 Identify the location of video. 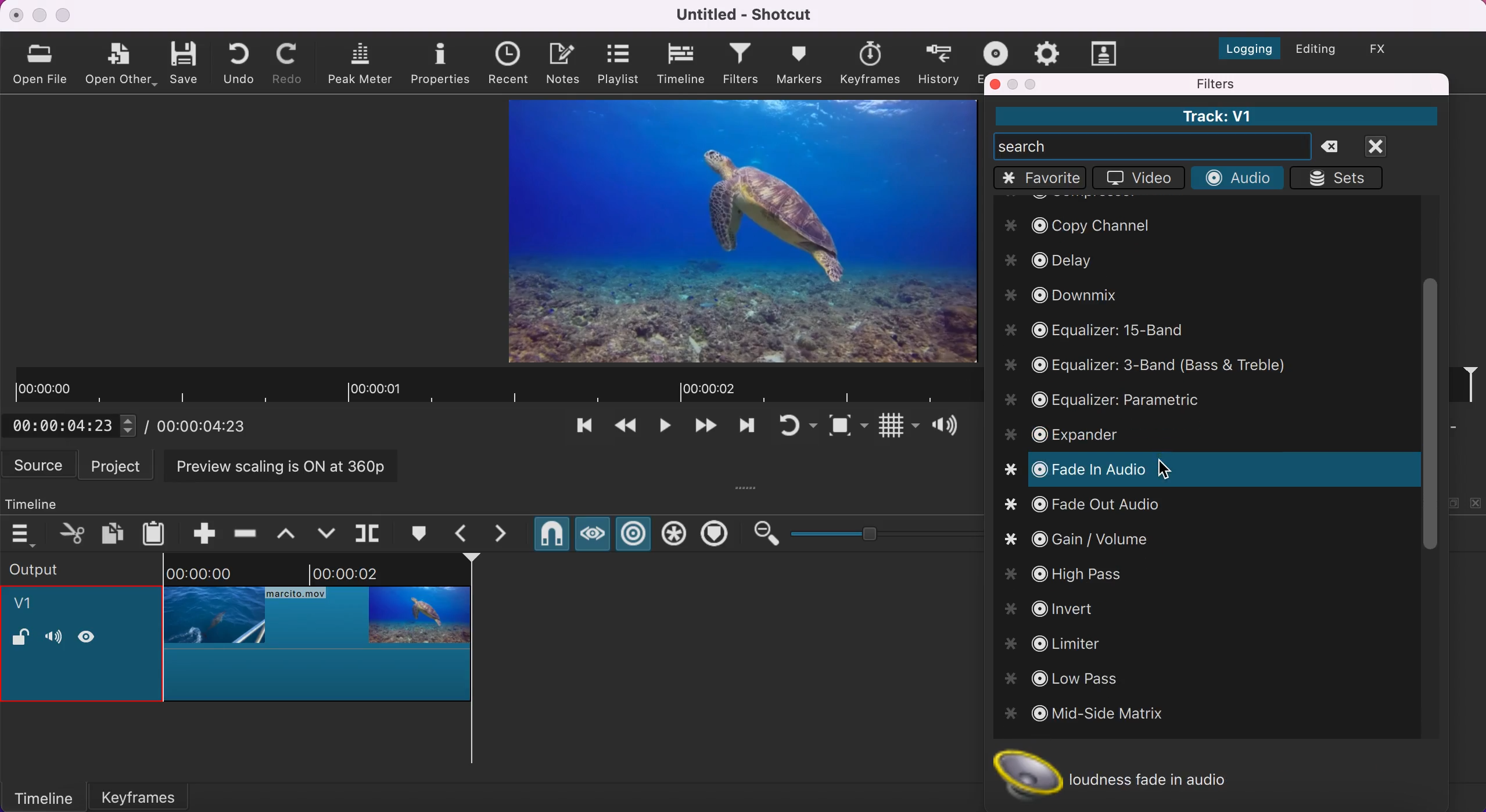
(1136, 180).